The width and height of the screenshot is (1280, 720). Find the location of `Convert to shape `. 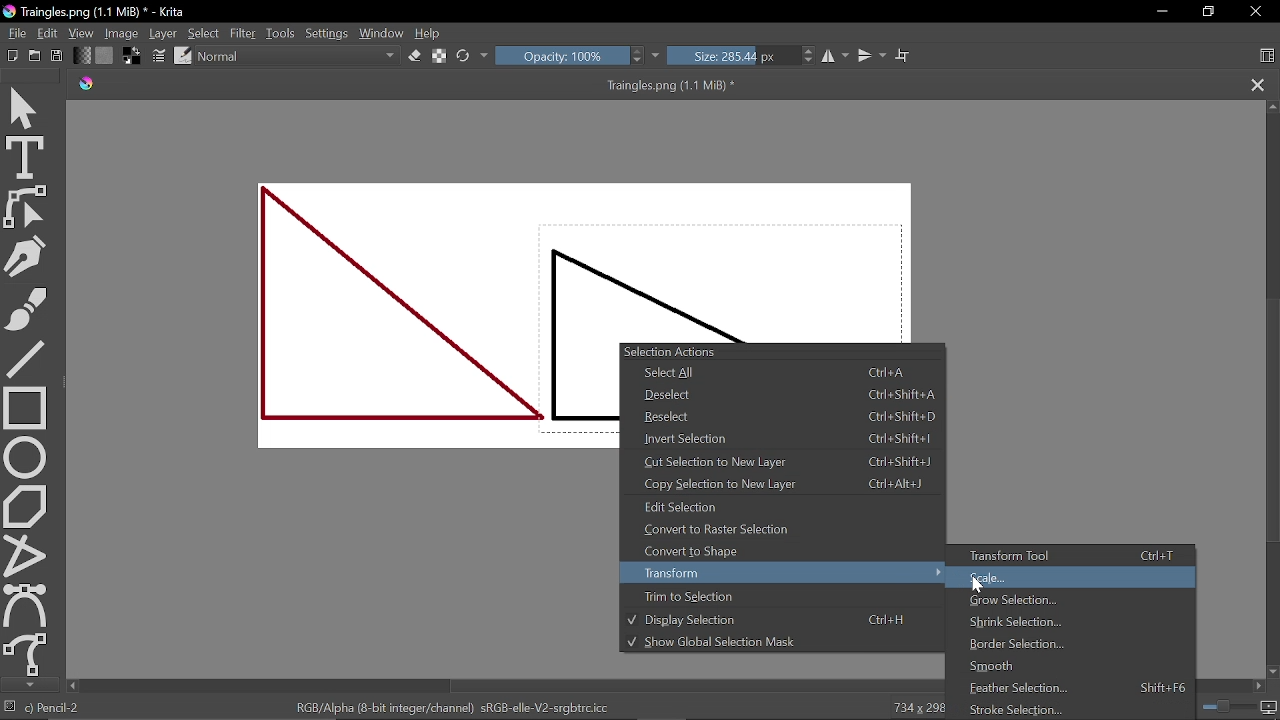

Convert to shape  is located at coordinates (779, 550).